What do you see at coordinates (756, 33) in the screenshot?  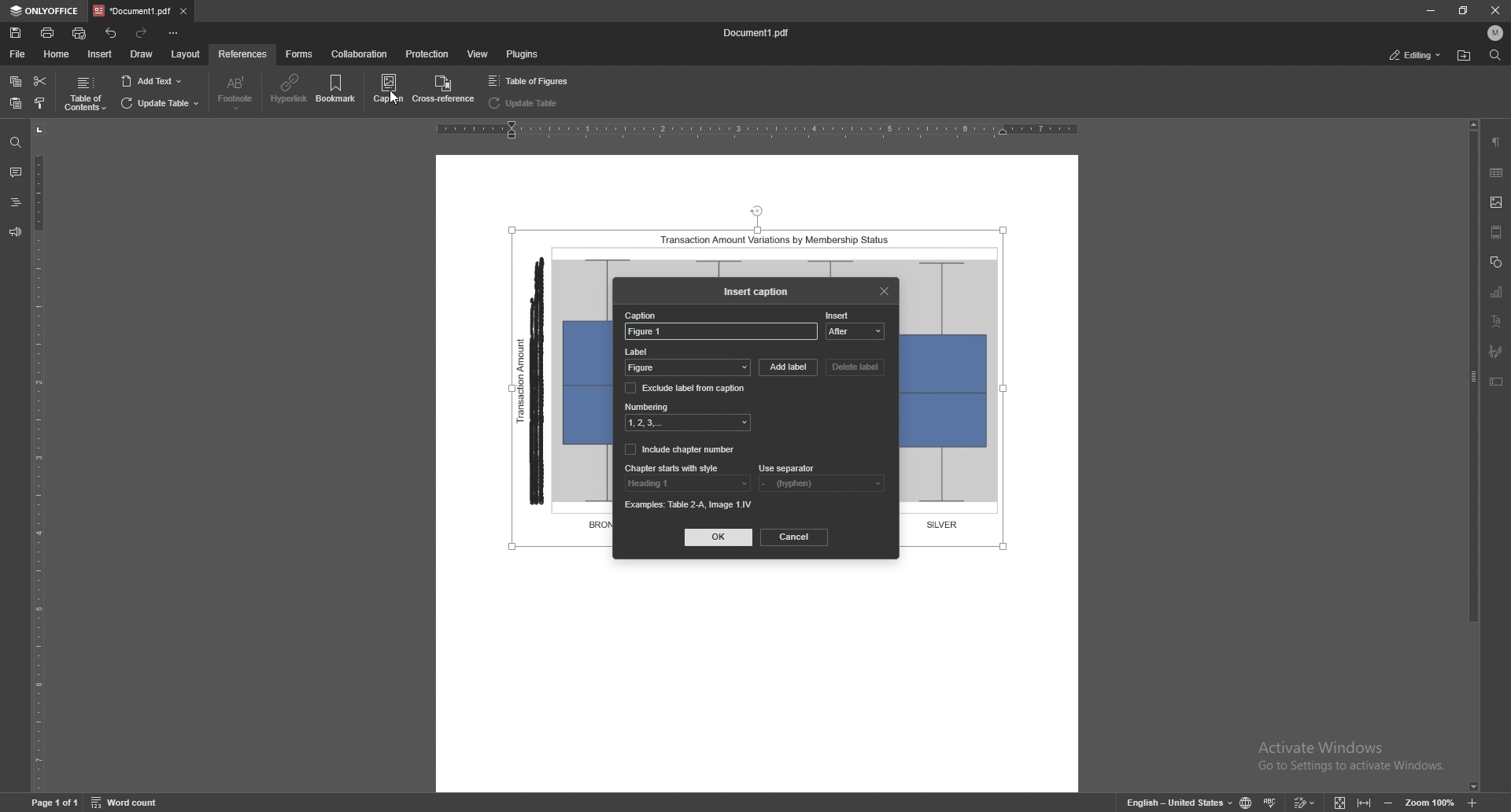 I see `file name` at bounding box center [756, 33].